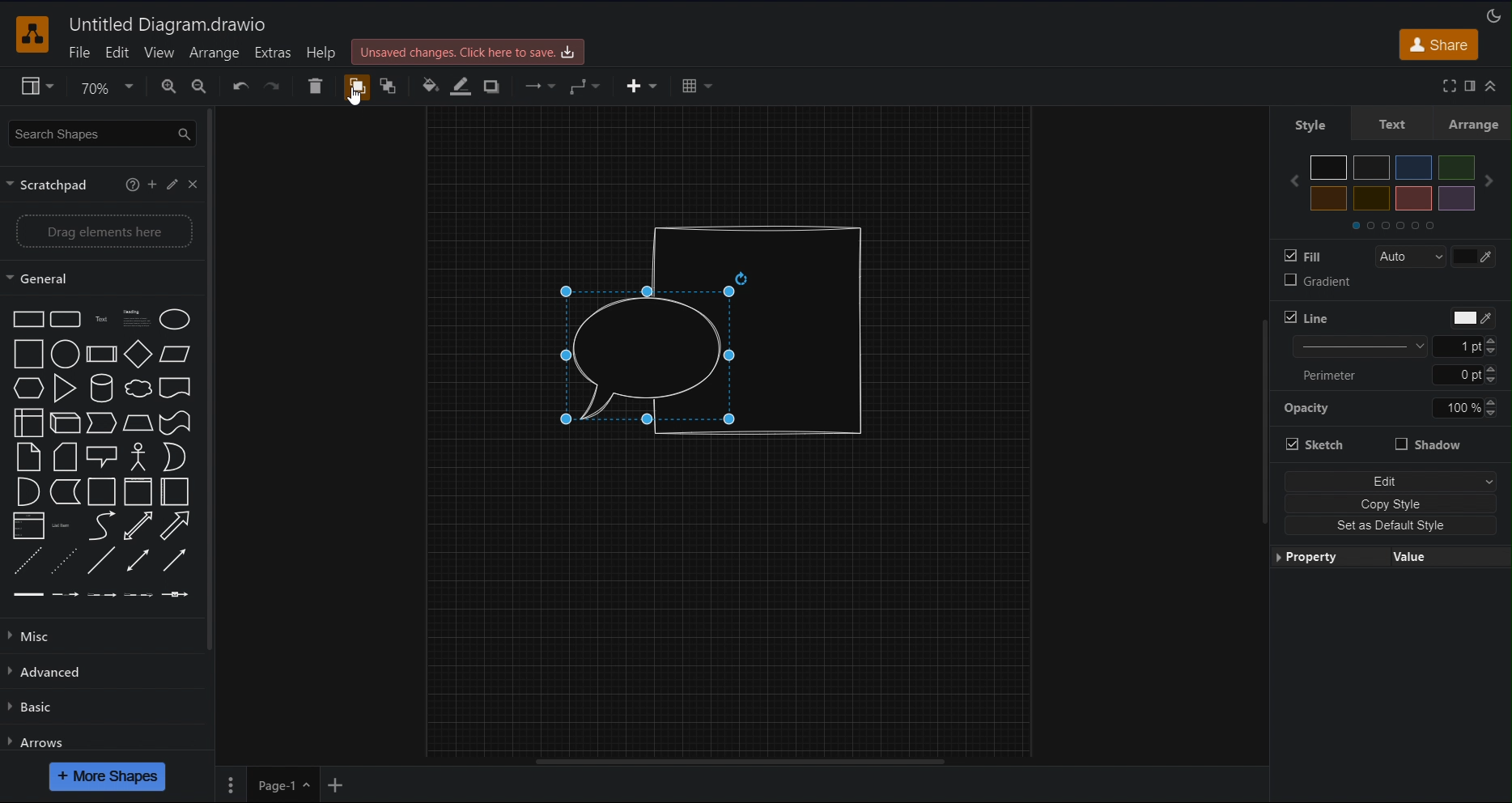 This screenshot has width=1512, height=803. What do you see at coordinates (172, 185) in the screenshot?
I see `Edit scratchpad` at bounding box center [172, 185].